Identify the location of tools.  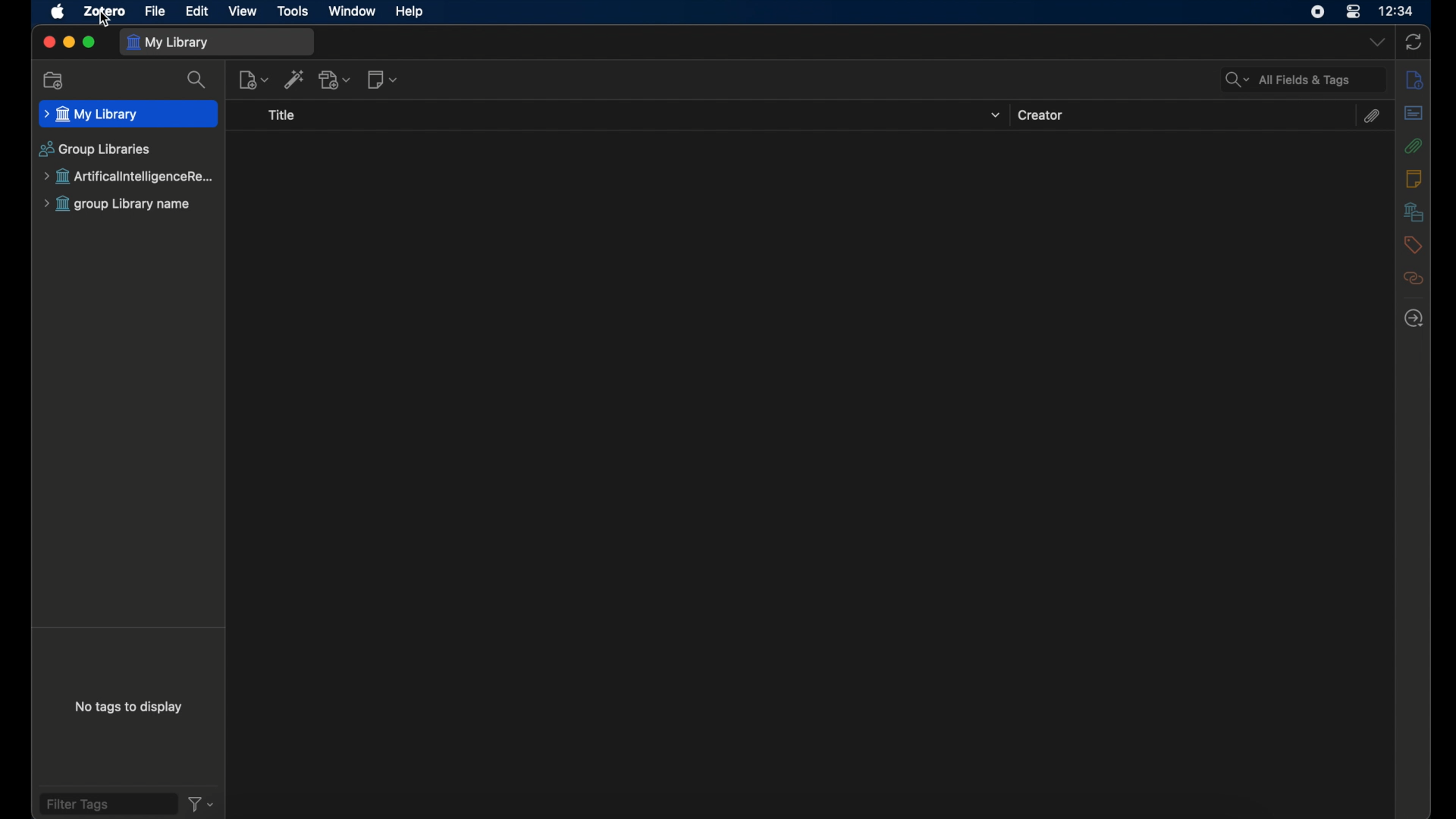
(292, 11).